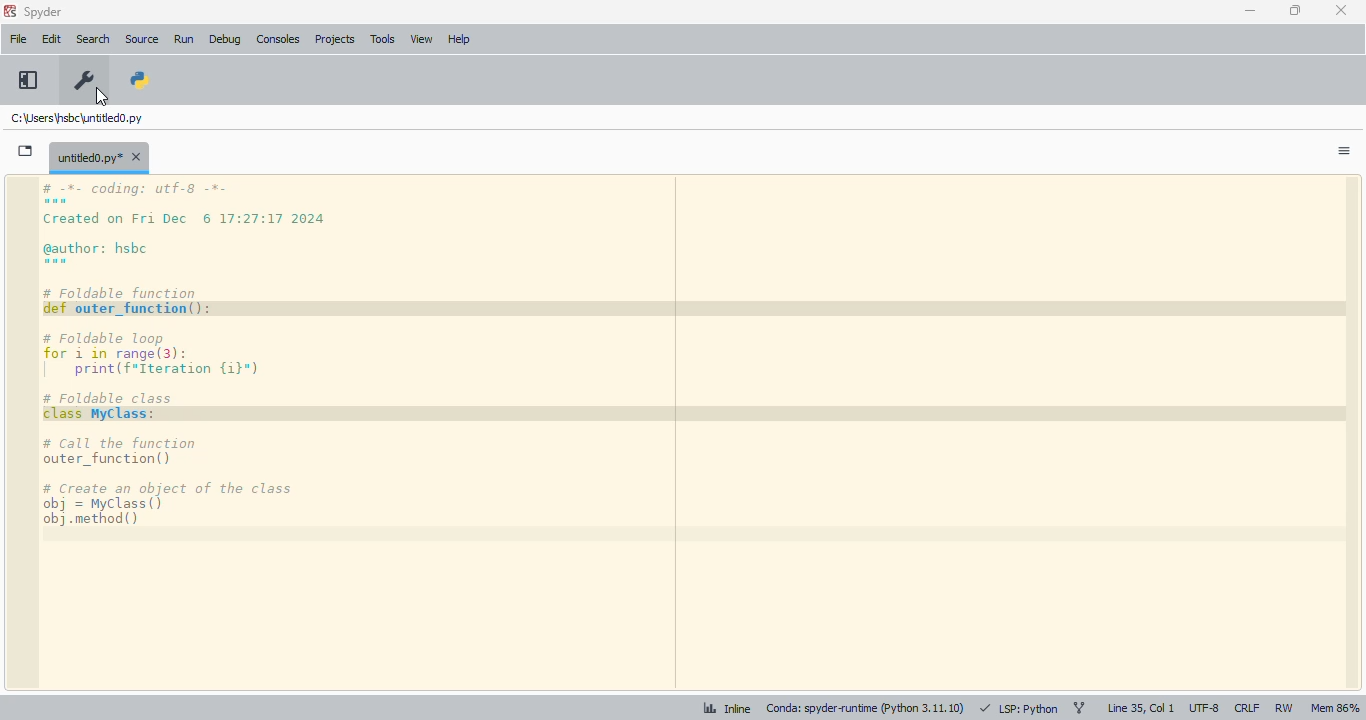  I want to click on tools, so click(384, 39).